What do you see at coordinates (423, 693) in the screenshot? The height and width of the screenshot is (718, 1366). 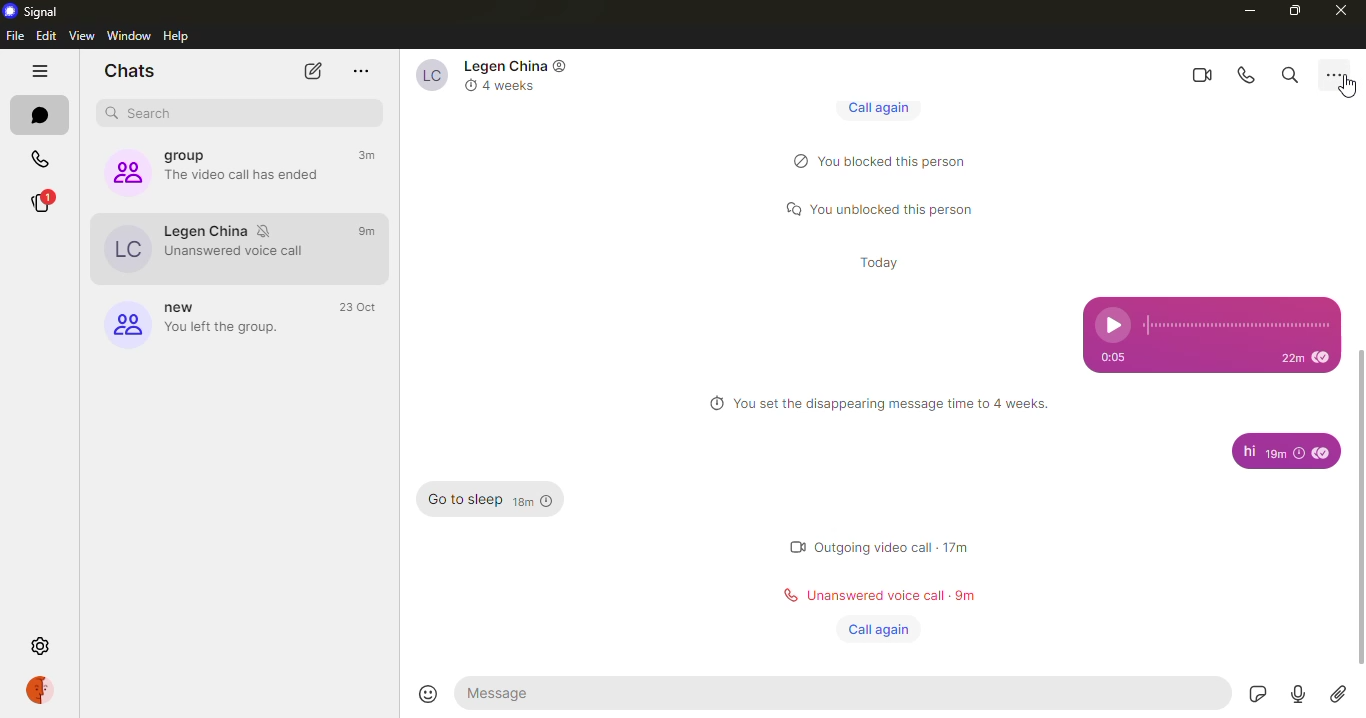 I see `emoji` at bounding box center [423, 693].